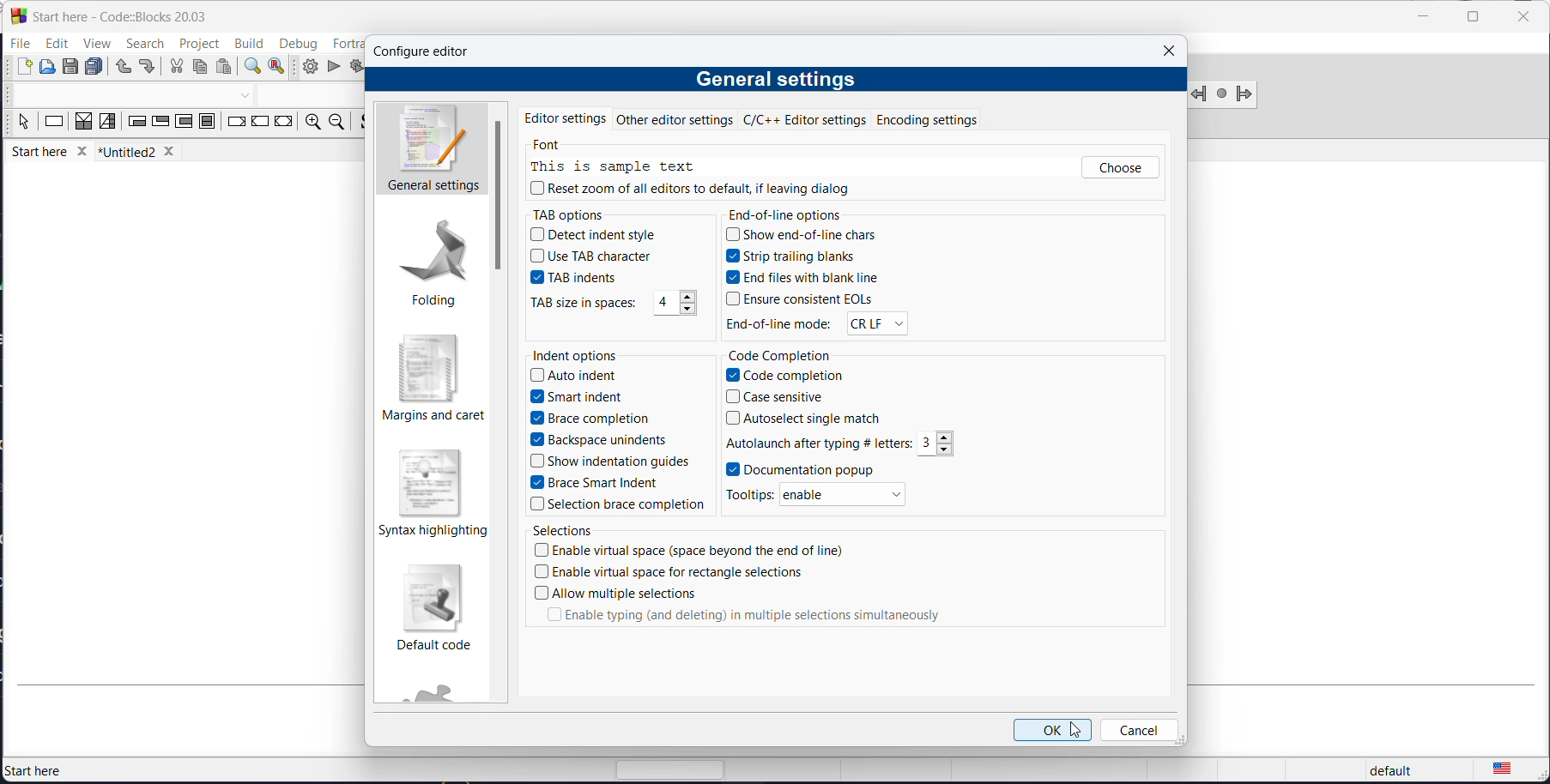  What do you see at coordinates (590, 257) in the screenshot?
I see `use TAB character checkbox` at bounding box center [590, 257].